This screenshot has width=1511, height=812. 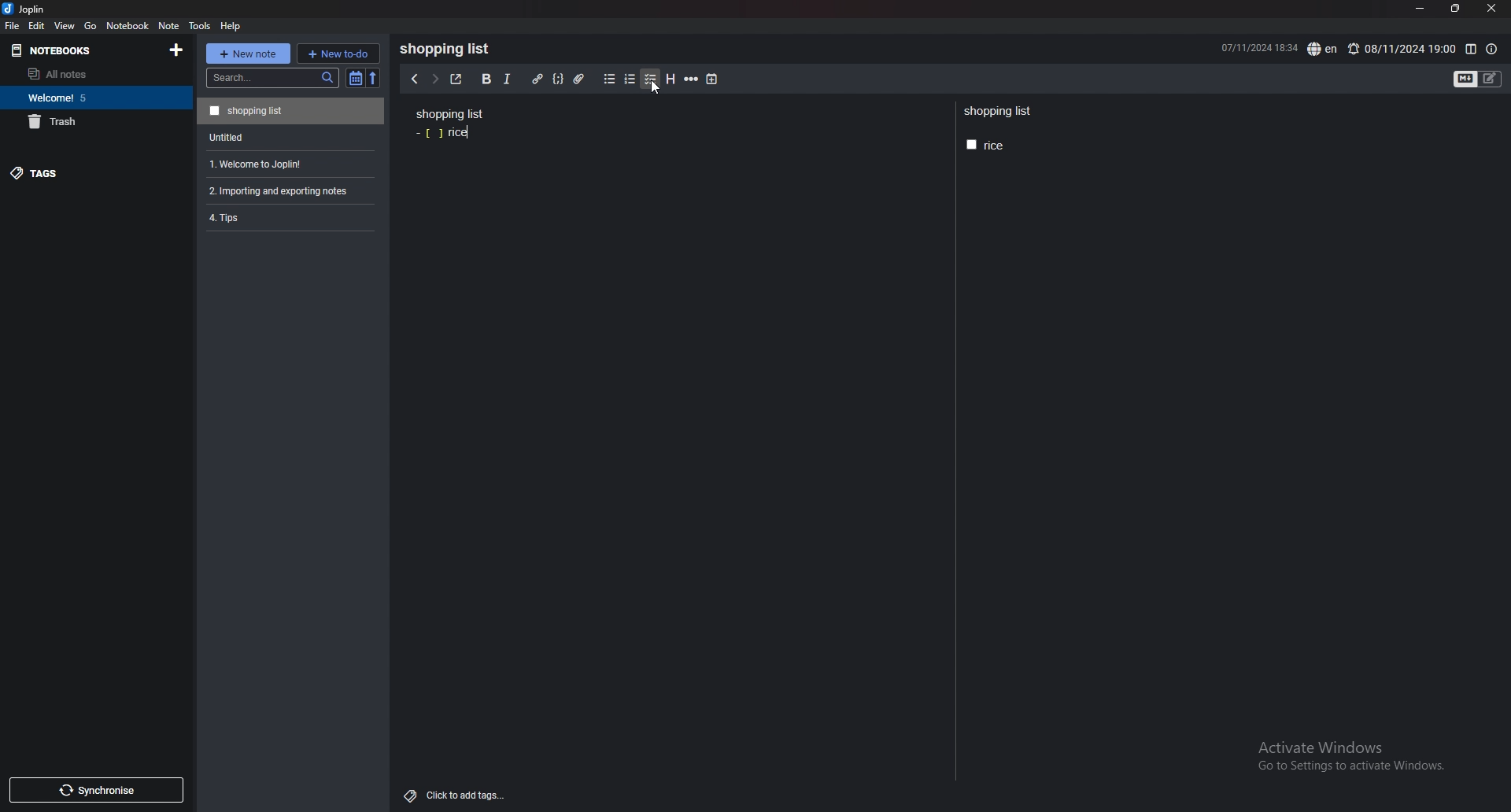 What do you see at coordinates (1471, 50) in the screenshot?
I see `toggle editor layout` at bounding box center [1471, 50].